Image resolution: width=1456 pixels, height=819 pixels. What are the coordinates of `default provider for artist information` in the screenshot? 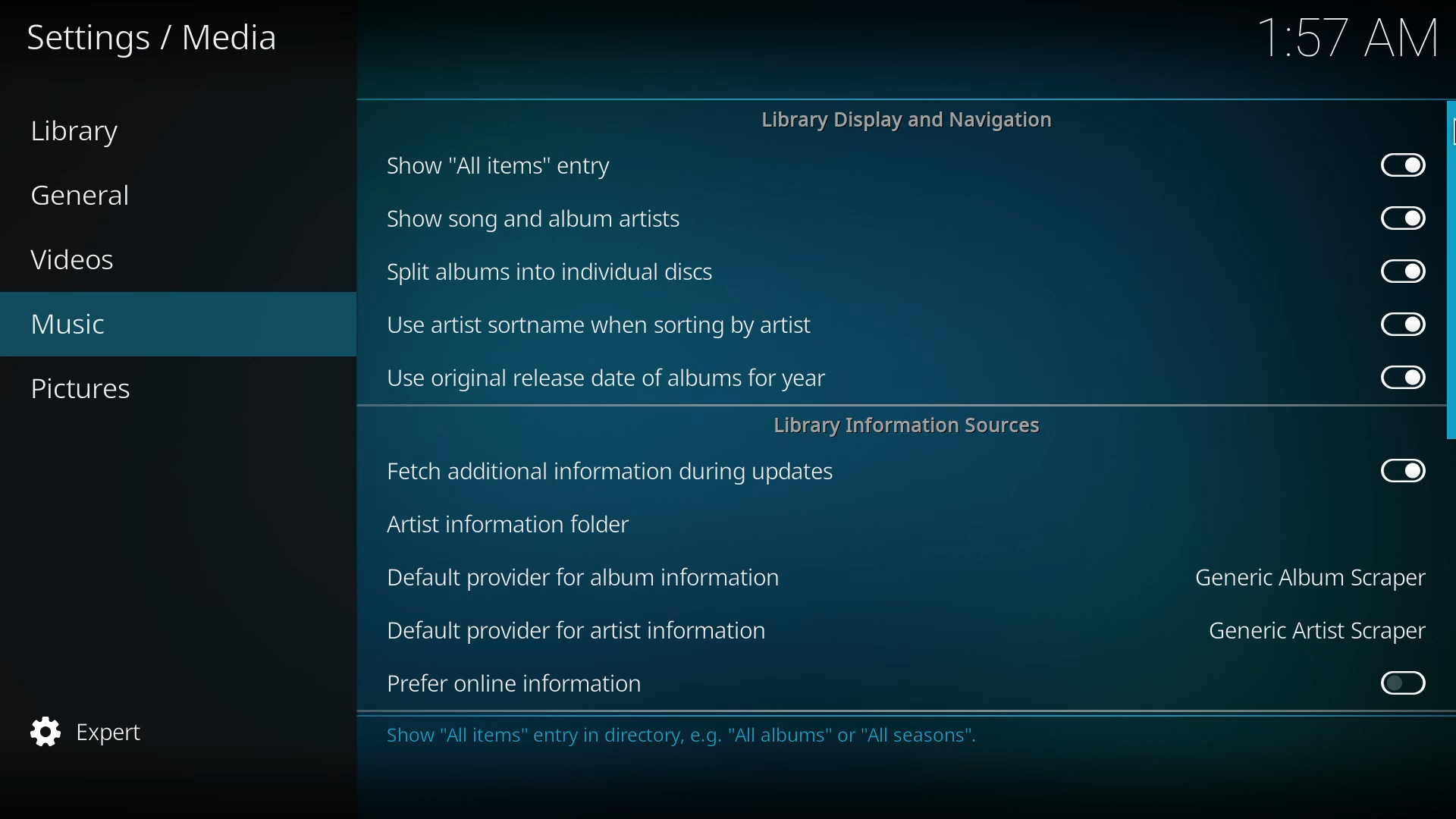 It's located at (578, 631).